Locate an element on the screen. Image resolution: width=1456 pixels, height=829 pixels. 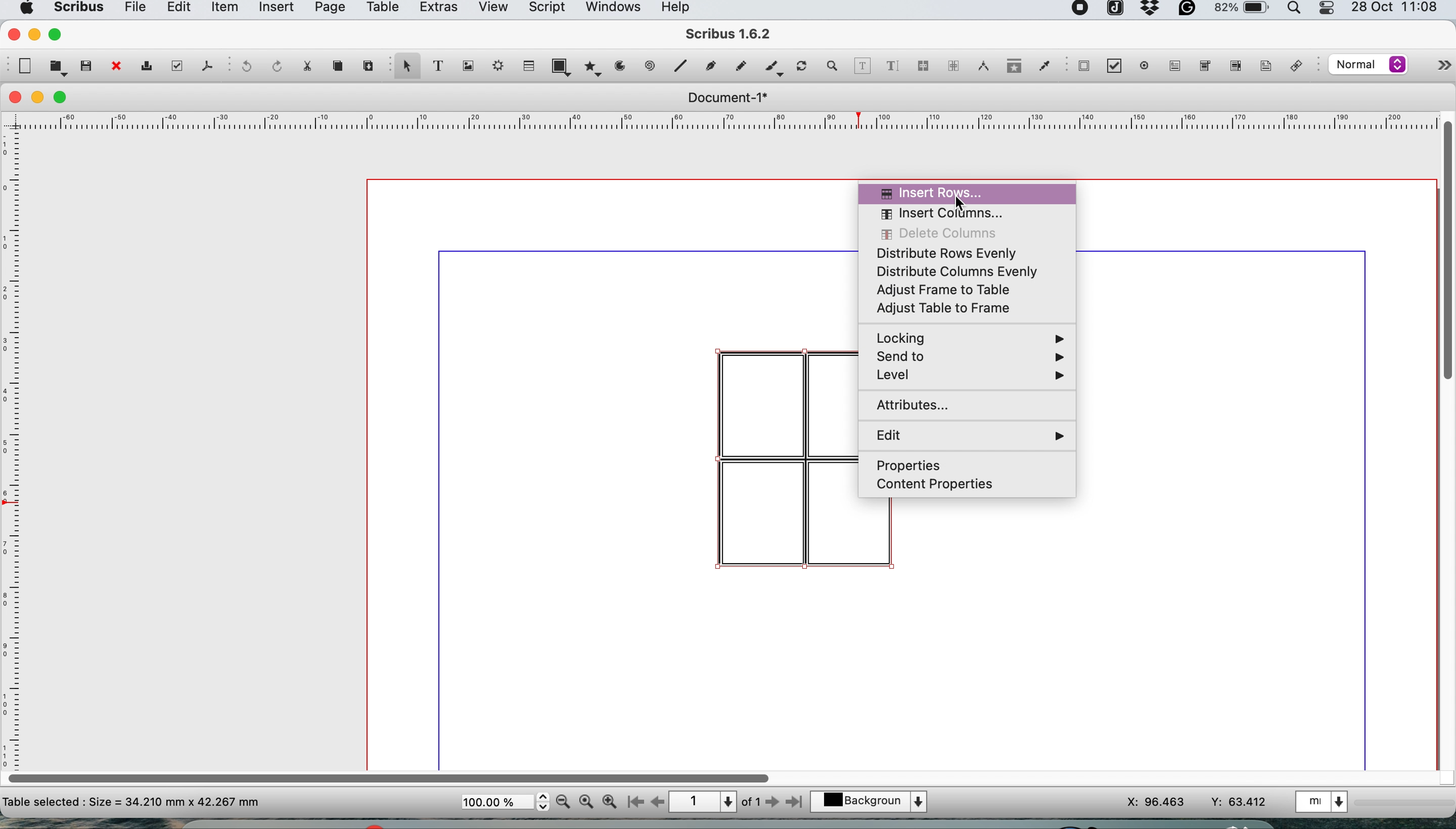
pdf check button is located at coordinates (1084, 65).